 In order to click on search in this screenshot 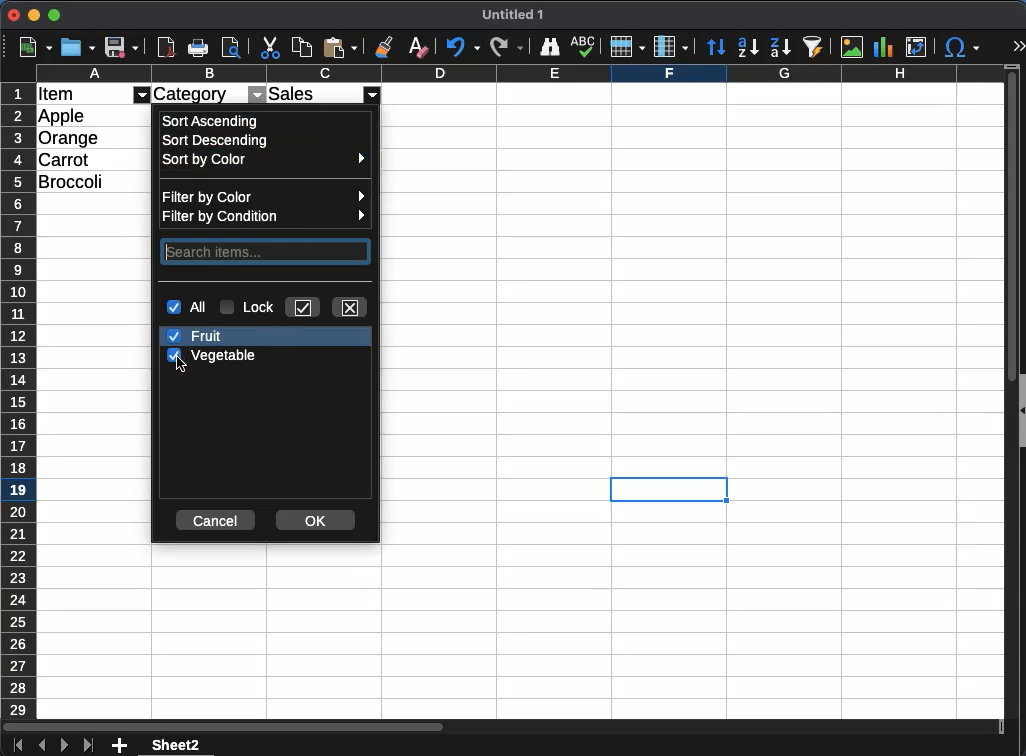, I will do `click(267, 251)`.